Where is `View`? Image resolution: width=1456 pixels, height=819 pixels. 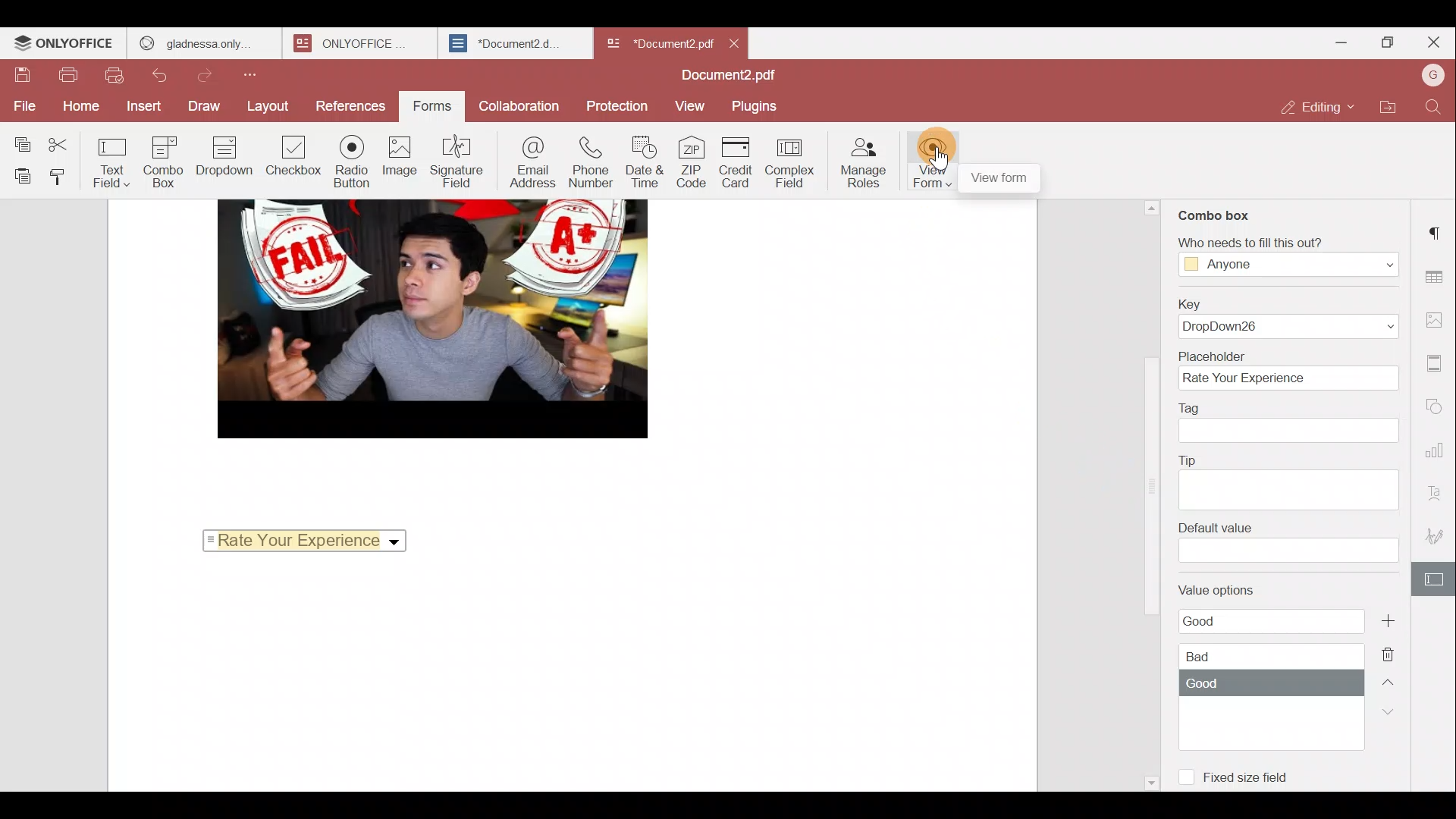
View is located at coordinates (692, 105).